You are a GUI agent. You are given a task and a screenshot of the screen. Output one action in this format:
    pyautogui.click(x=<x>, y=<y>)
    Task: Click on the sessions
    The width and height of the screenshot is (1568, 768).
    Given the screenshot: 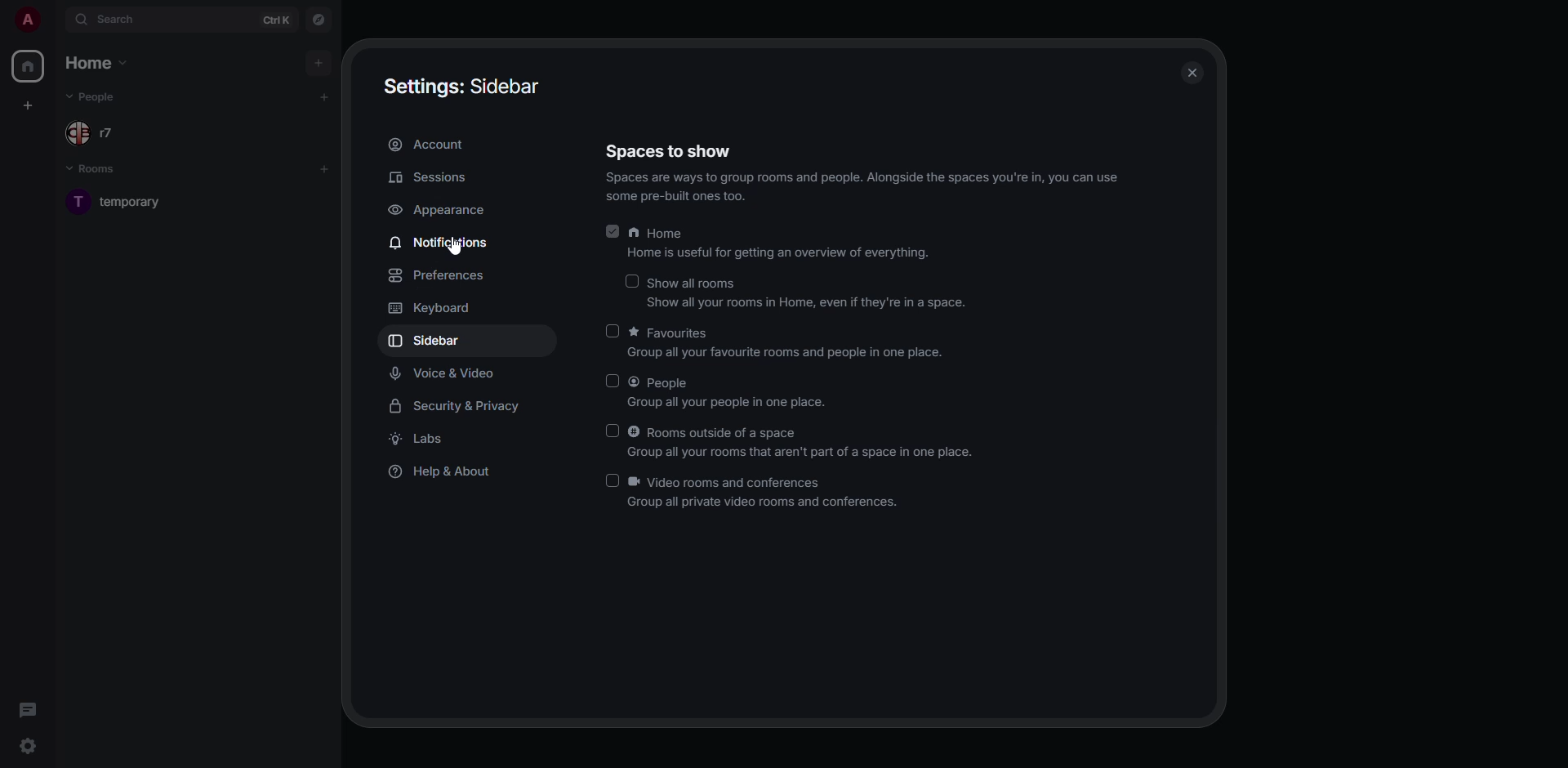 What is the action you would take?
    pyautogui.click(x=427, y=176)
    